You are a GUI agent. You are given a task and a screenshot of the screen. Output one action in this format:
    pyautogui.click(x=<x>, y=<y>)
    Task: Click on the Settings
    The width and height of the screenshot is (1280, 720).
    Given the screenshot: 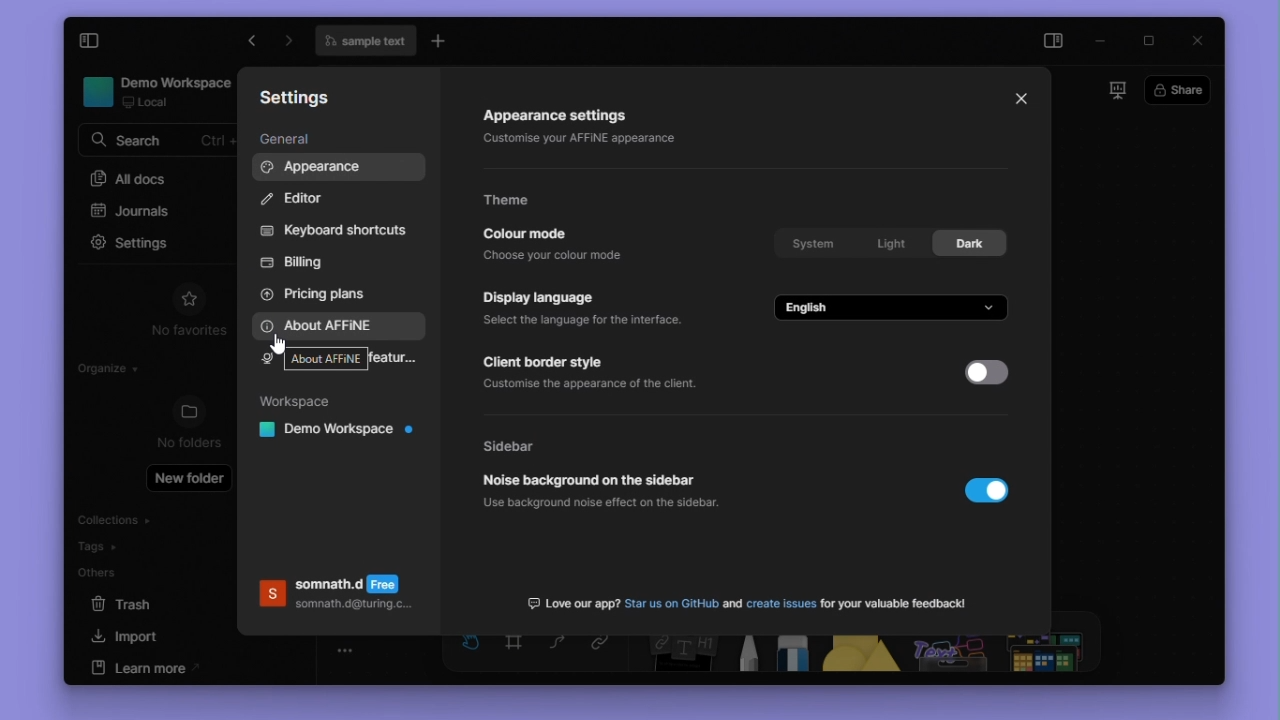 What is the action you would take?
    pyautogui.click(x=301, y=98)
    